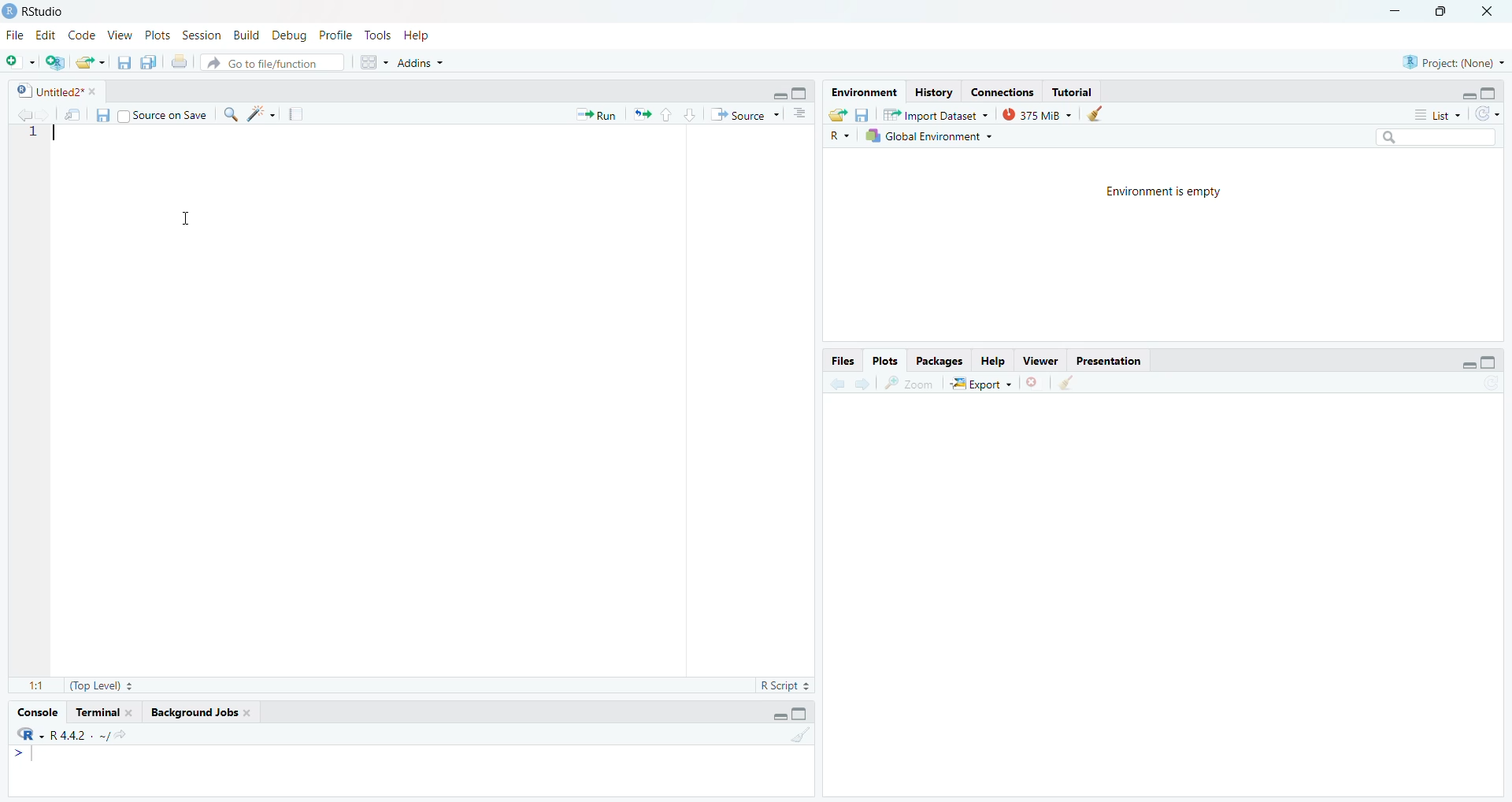 This screenshot has width=1512, height=802. Describe the element at coordinates (102, 686) in the screenshot. I see `(Top Level) ` at that location.